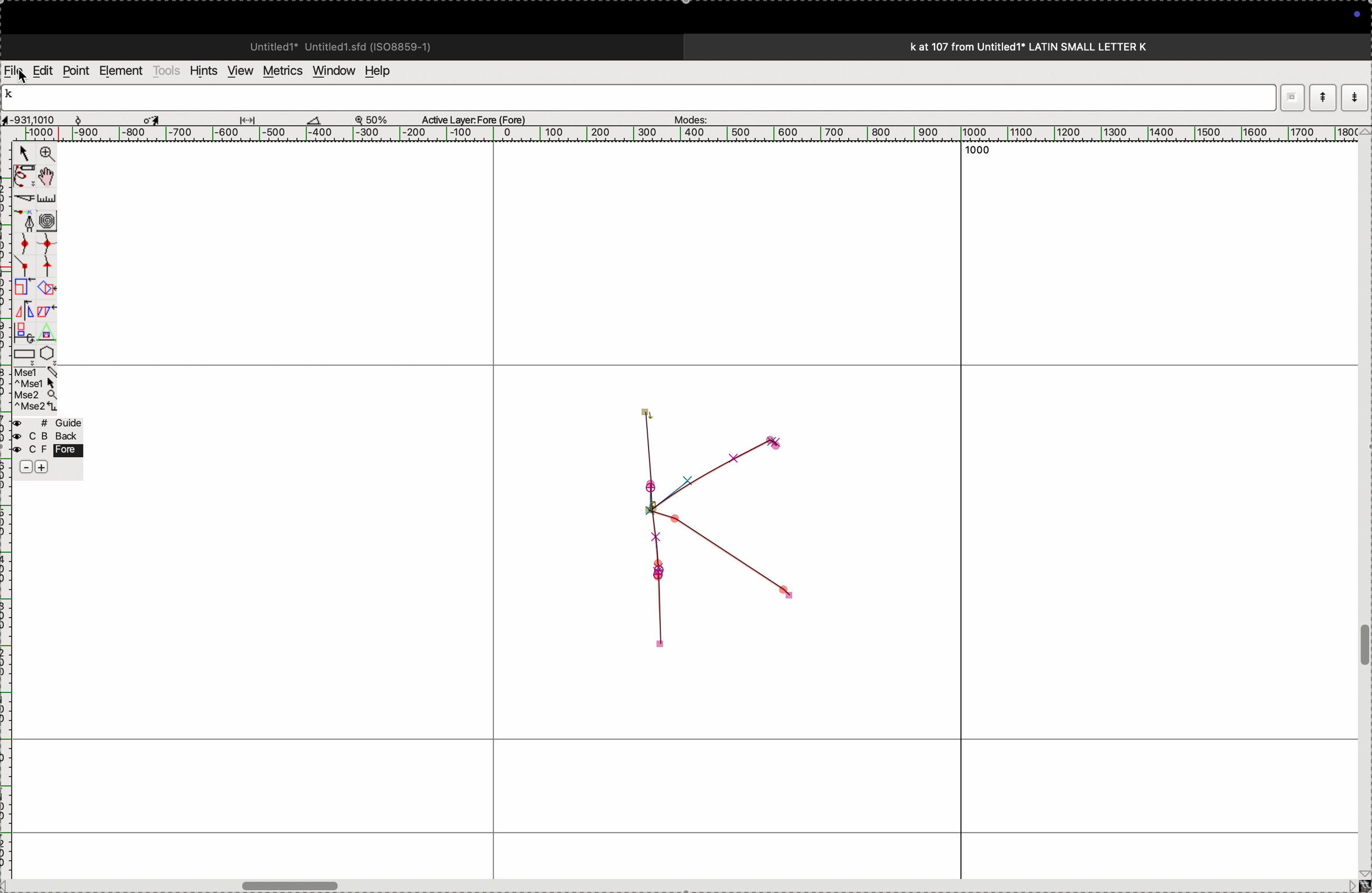 The image size is (1372, 893). What do you see at coordinates (47, 353) in the screenshot?
I see `polygon` at bounding box center [47, 353].